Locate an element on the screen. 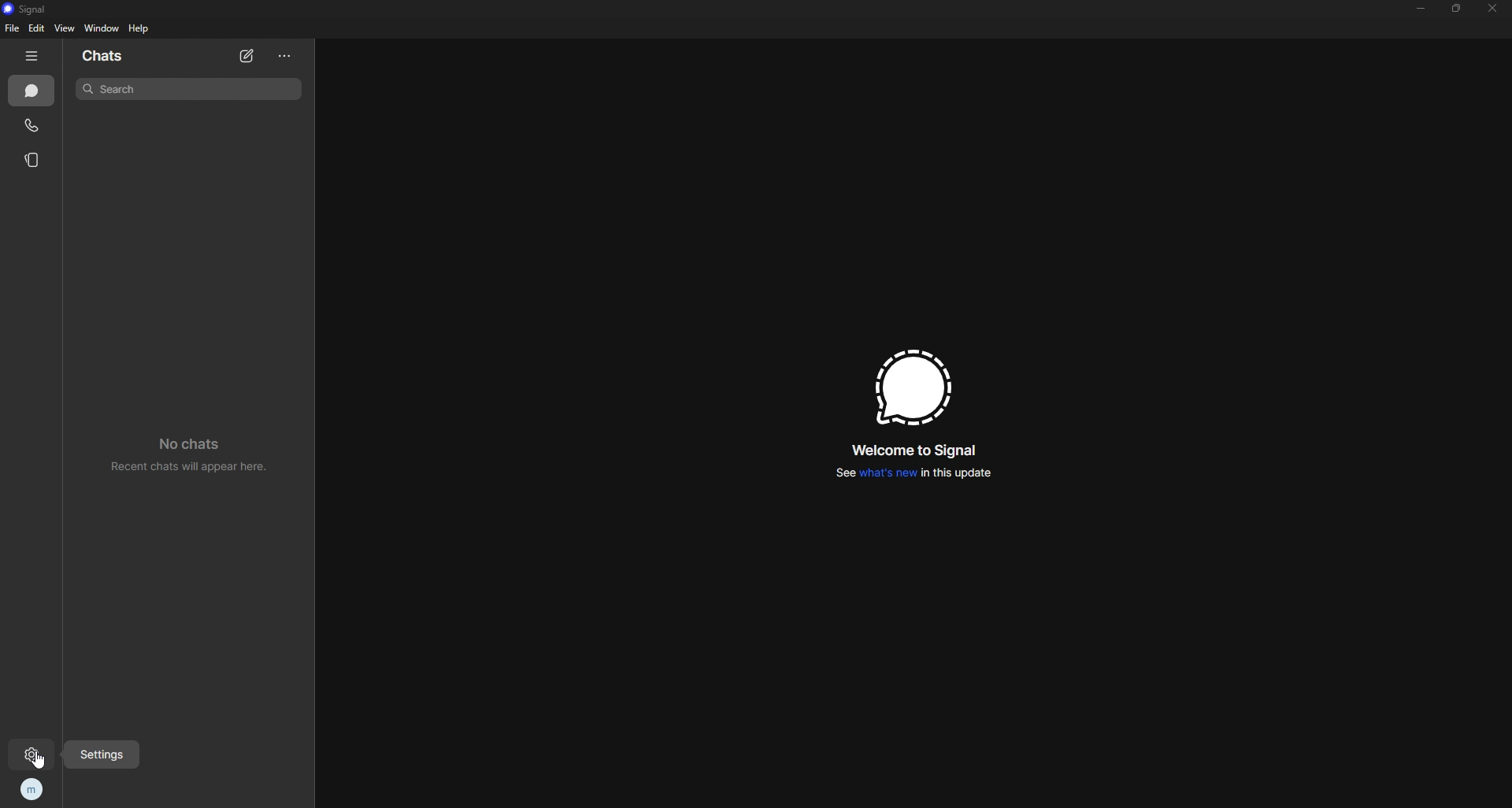 The image size is (1512, 808). signal logo is located at coordinates (910, 388).